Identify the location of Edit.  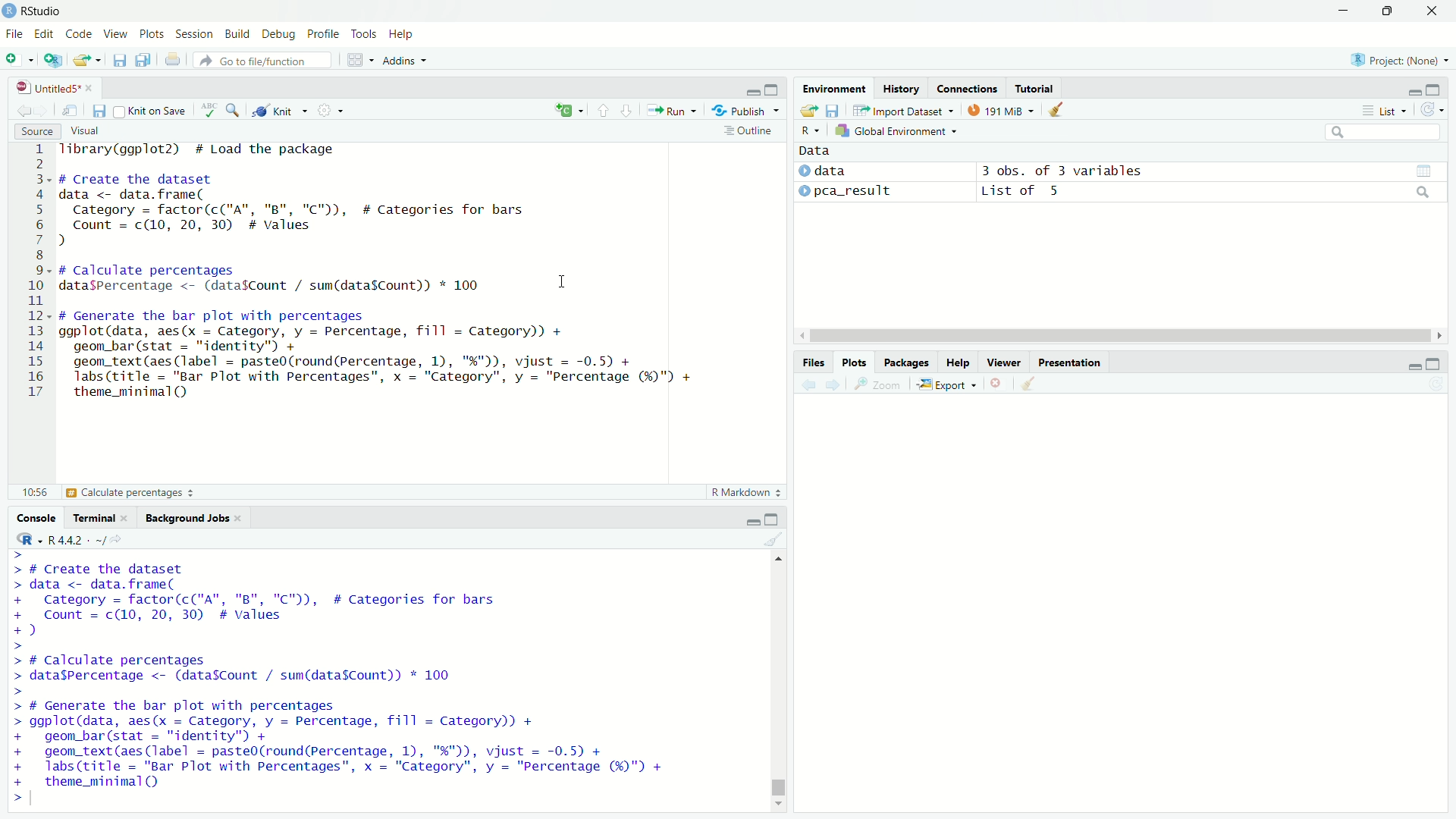
(46, 35).